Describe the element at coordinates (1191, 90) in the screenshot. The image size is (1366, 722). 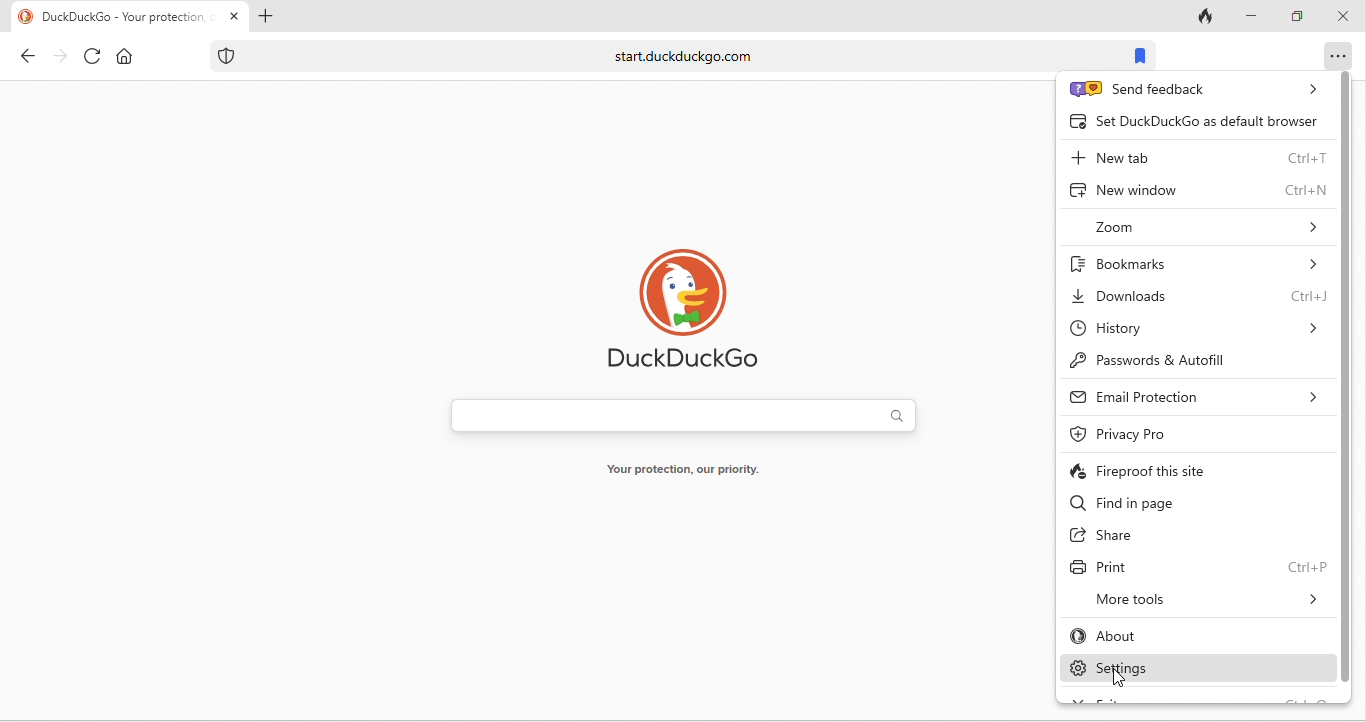
I see `send feedback` at that location.